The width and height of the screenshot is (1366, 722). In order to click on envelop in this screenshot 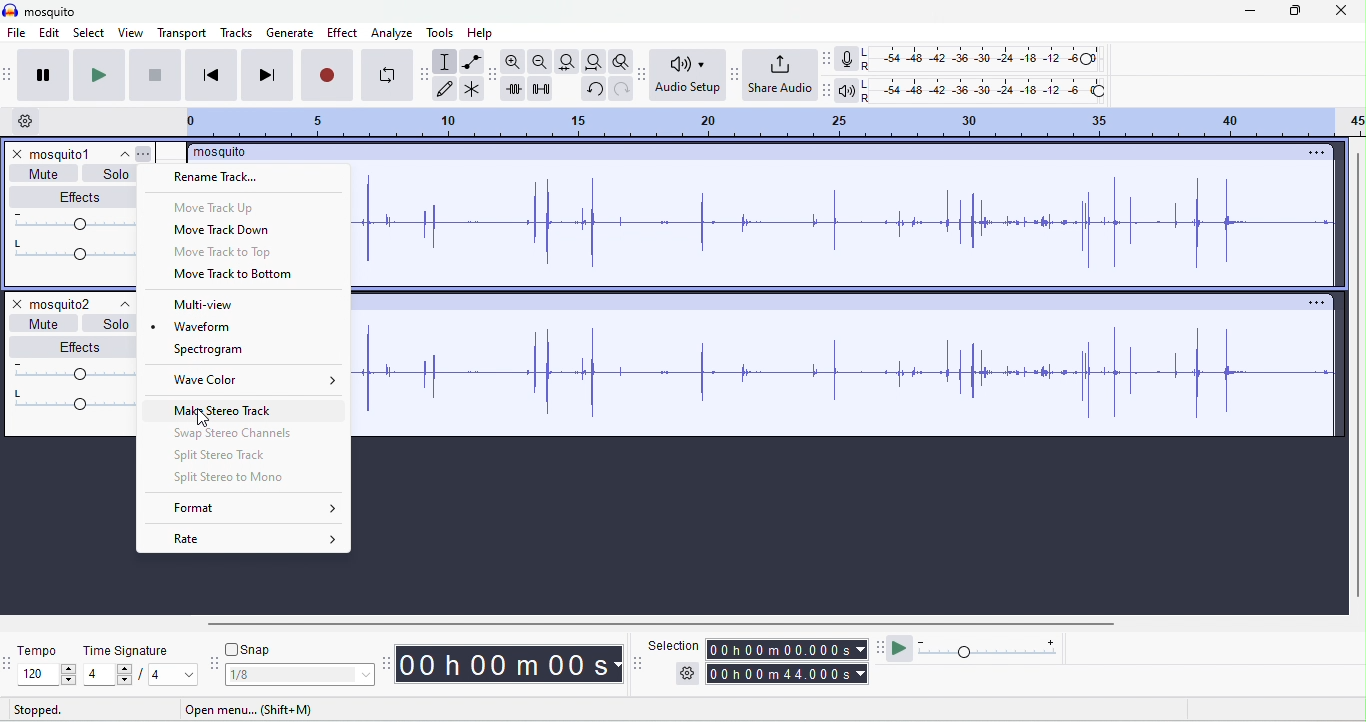, I will do `click(472, 60)`.